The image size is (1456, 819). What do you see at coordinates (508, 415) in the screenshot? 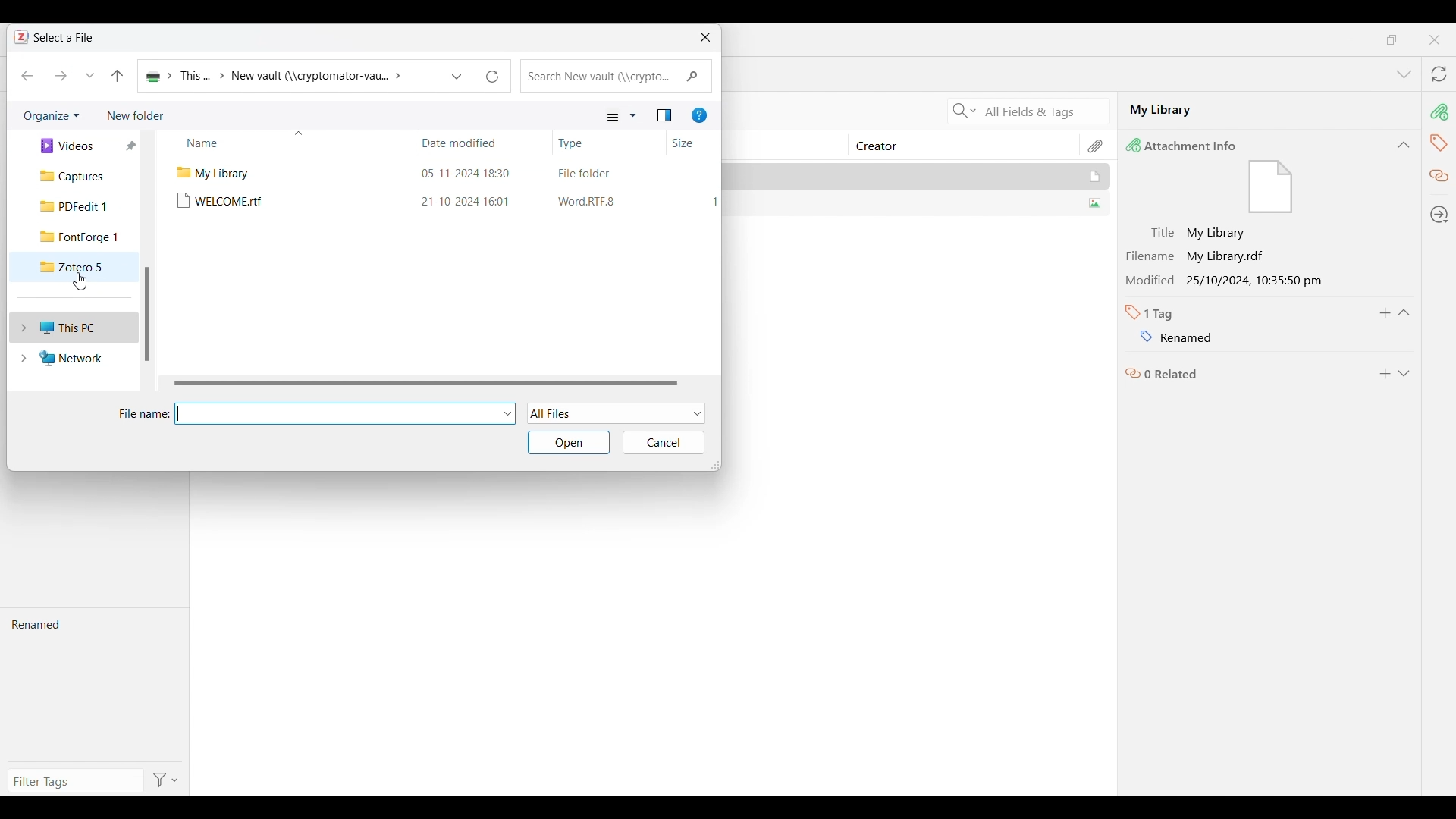
I see `File options` at bounding box center [508, 415].